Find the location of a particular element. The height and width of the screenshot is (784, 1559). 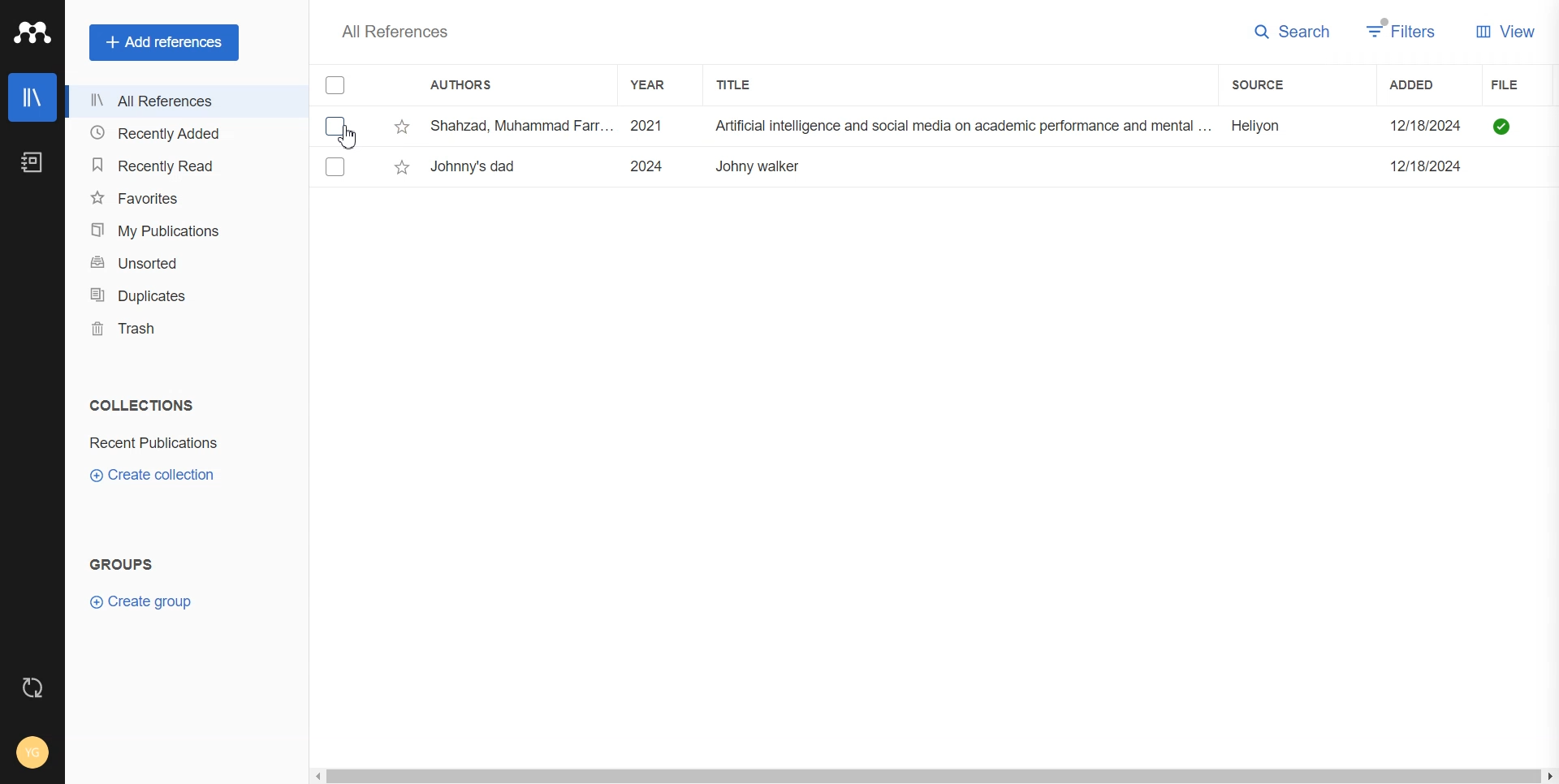

Logo is located at coordinates (32, 32).